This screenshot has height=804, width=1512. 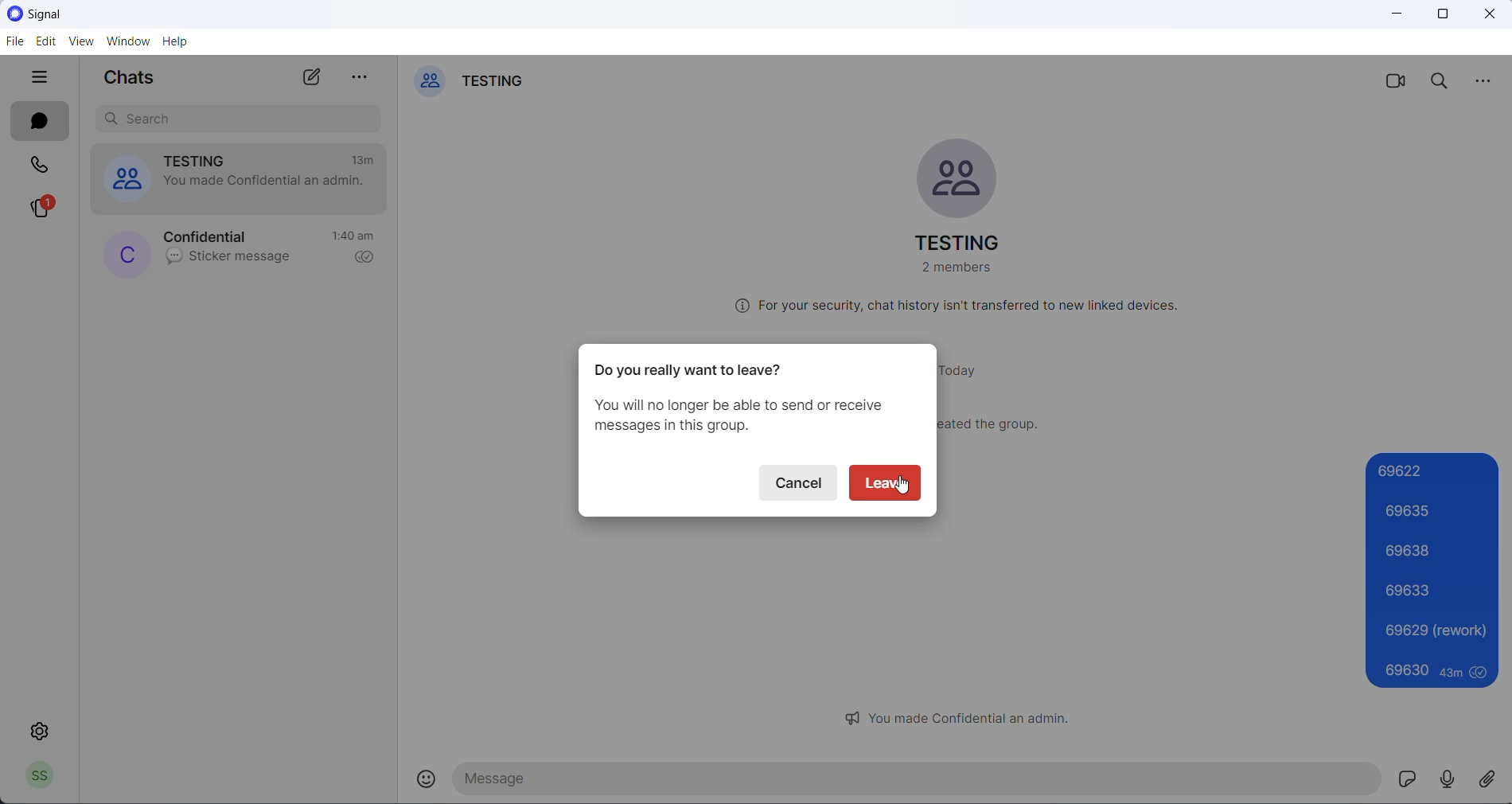 I want to click on admin notification, so click(x=966, y=716).